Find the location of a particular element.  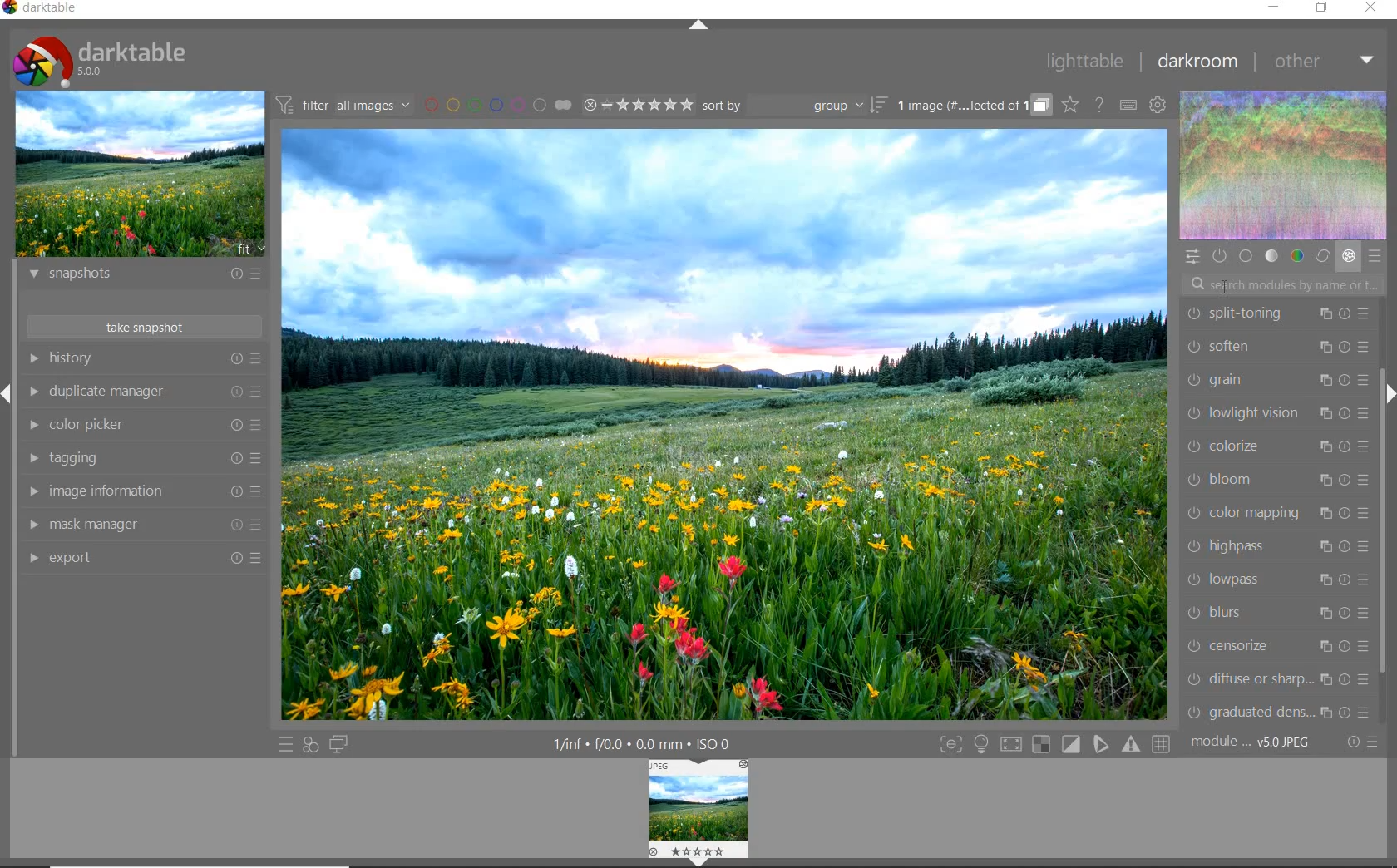

CURSOR is located at coordinates (1224, 284).